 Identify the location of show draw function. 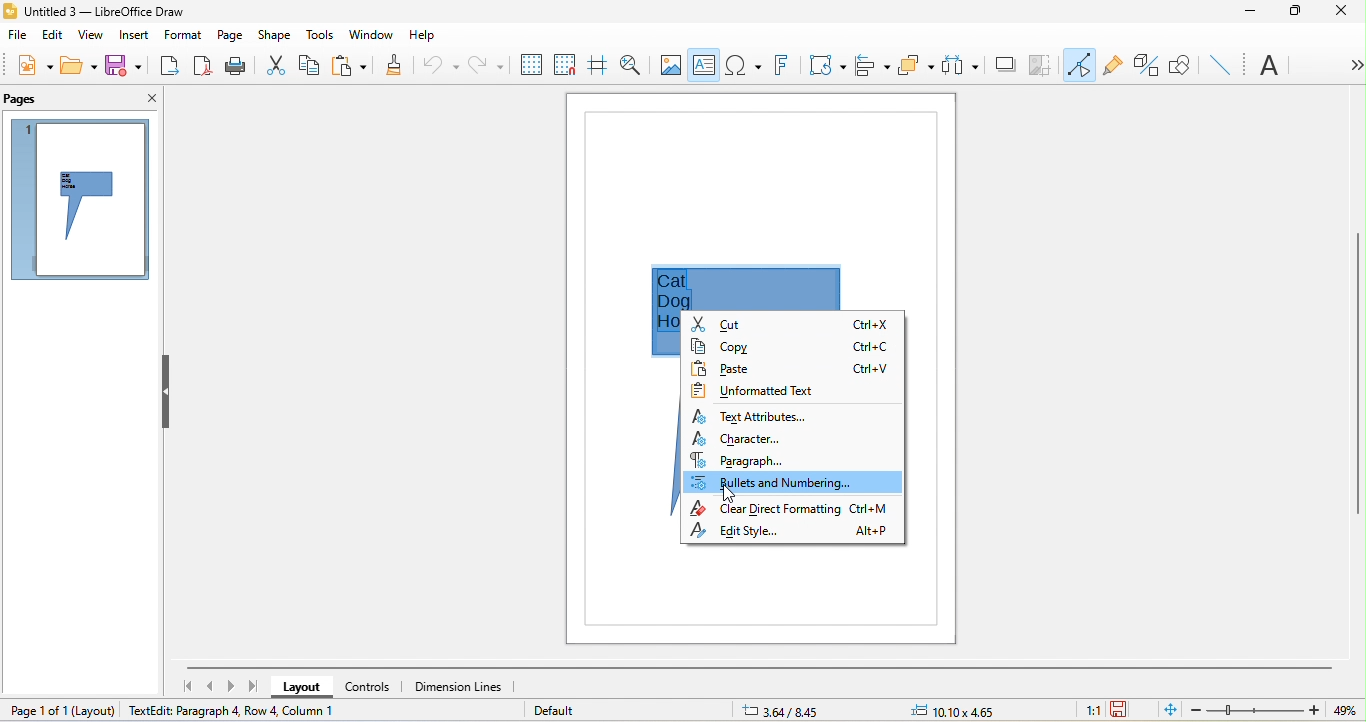
(1180, 63).